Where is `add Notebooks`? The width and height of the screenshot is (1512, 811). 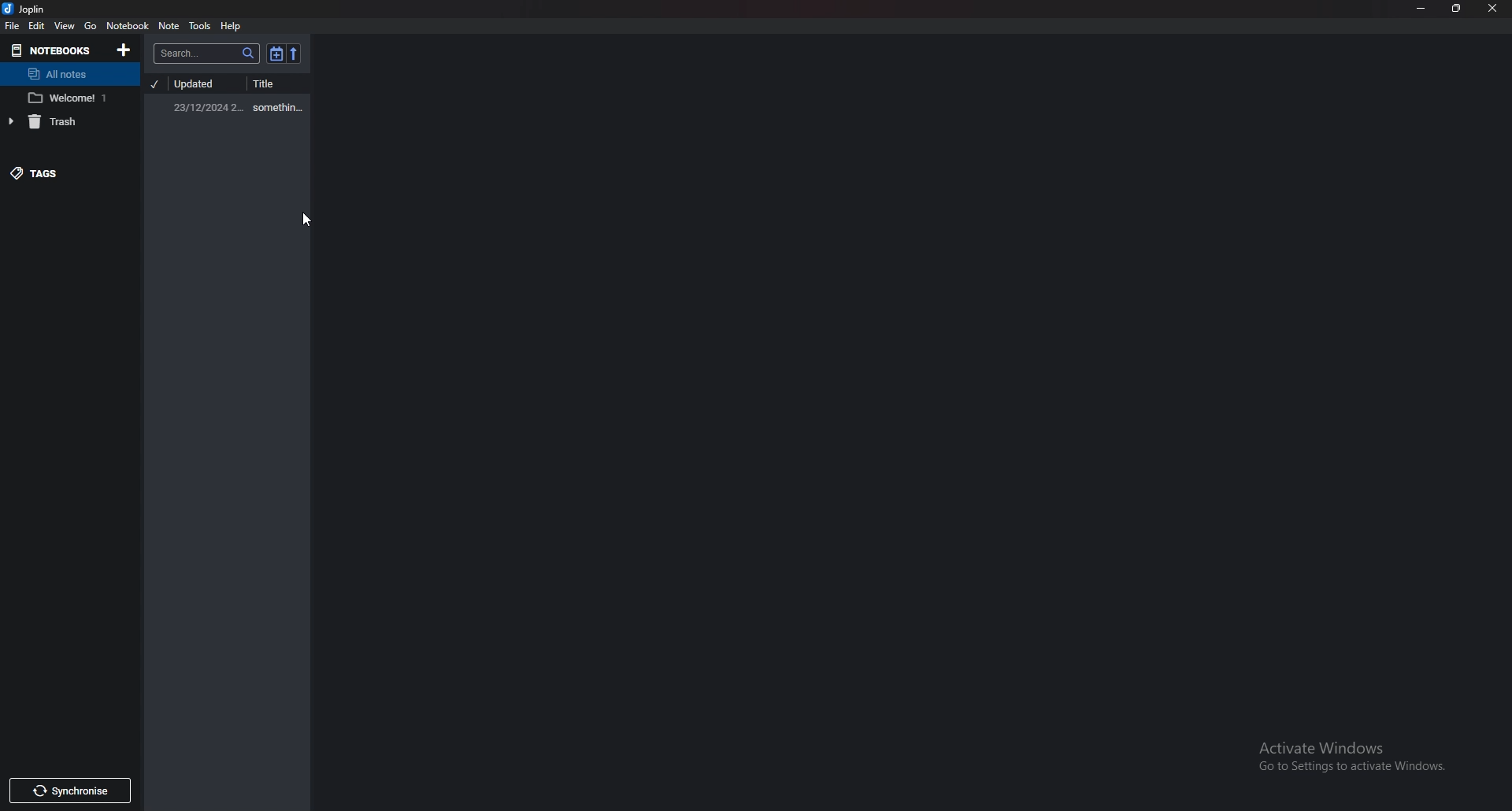
add Notebooks is located at coordinates (124, 50).